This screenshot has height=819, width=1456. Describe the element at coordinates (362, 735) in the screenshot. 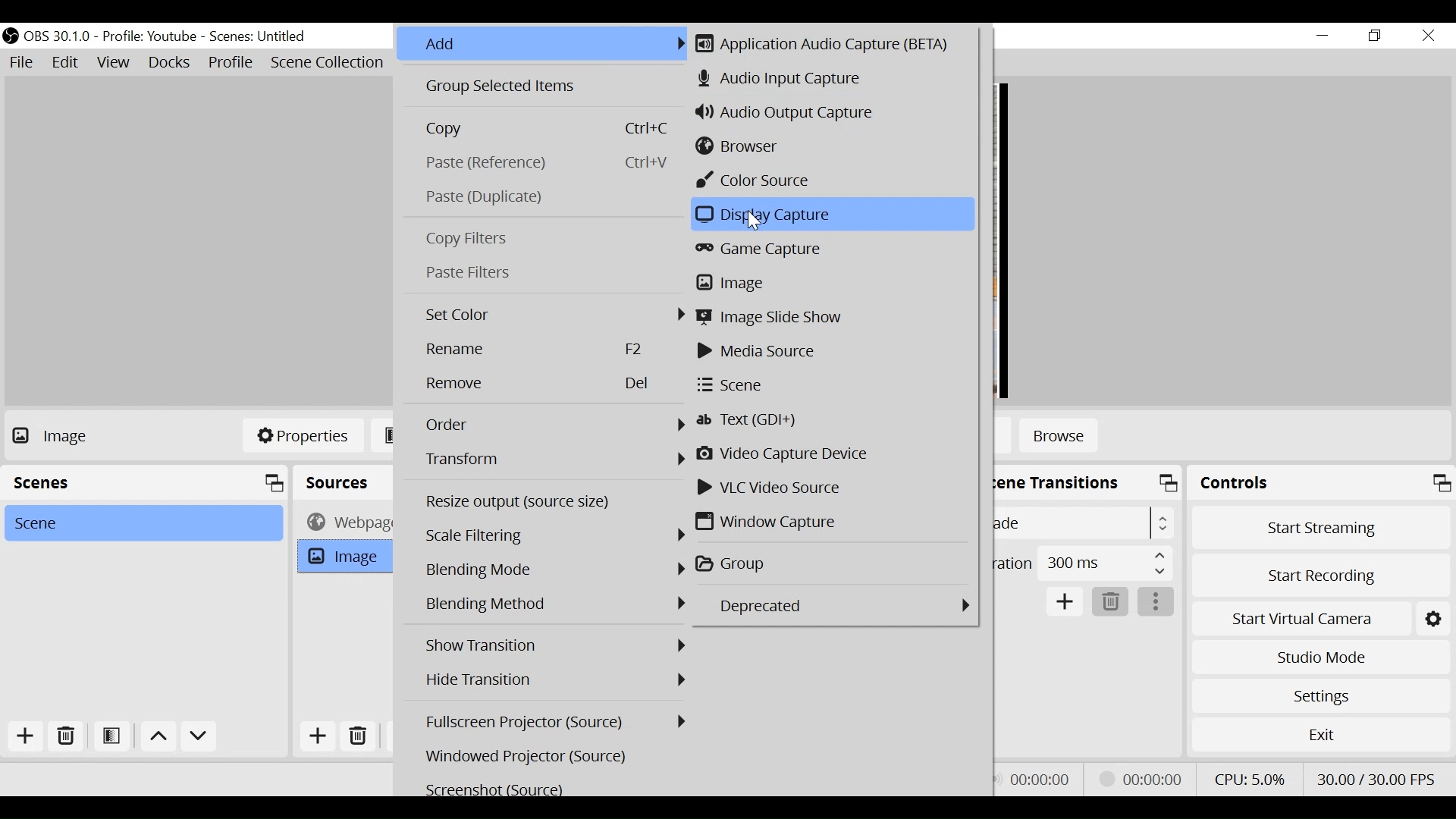

I see `Delete` at that location.